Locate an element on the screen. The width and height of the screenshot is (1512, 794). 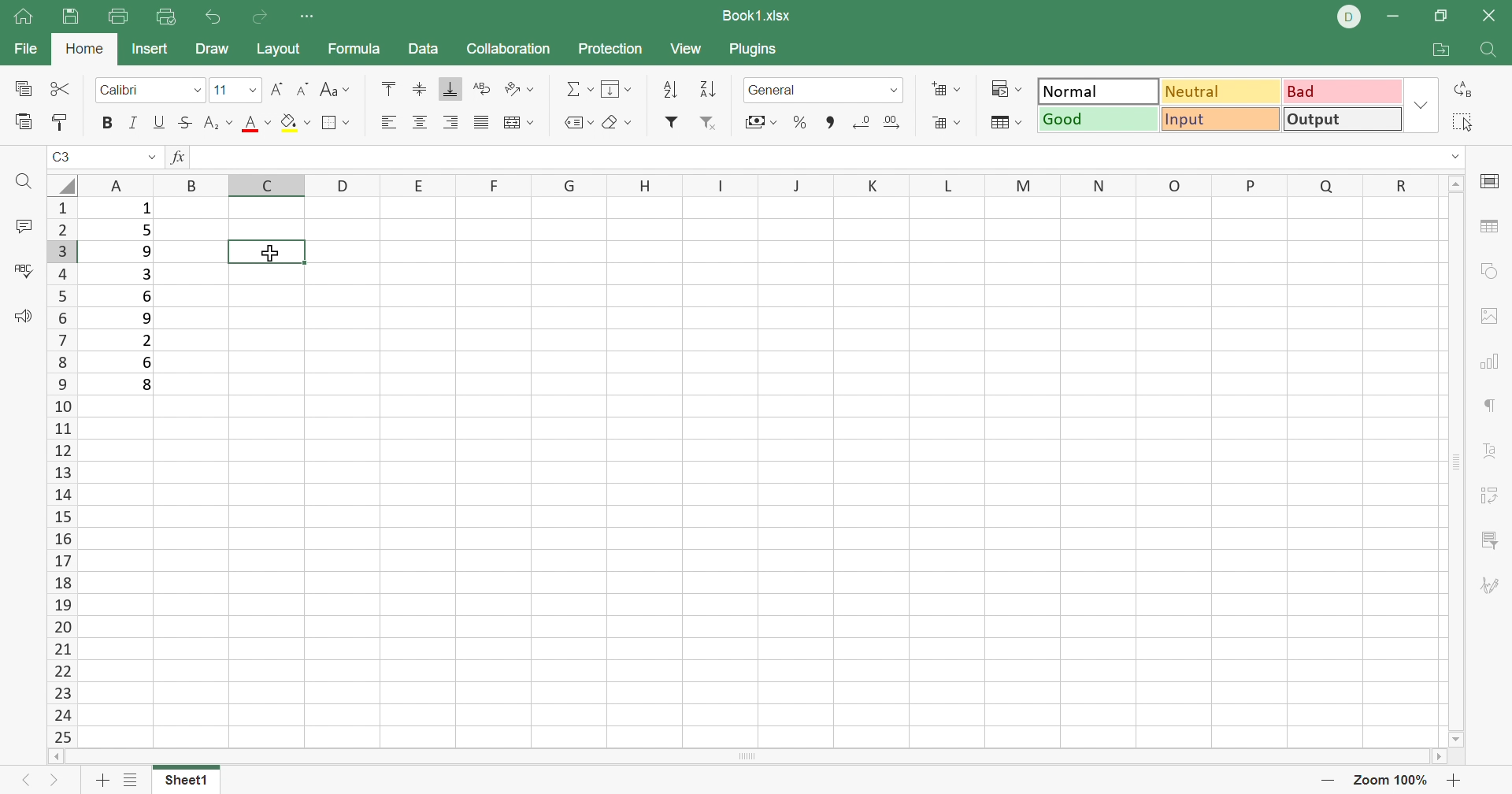
Italic is located at coordinates (135, 121).